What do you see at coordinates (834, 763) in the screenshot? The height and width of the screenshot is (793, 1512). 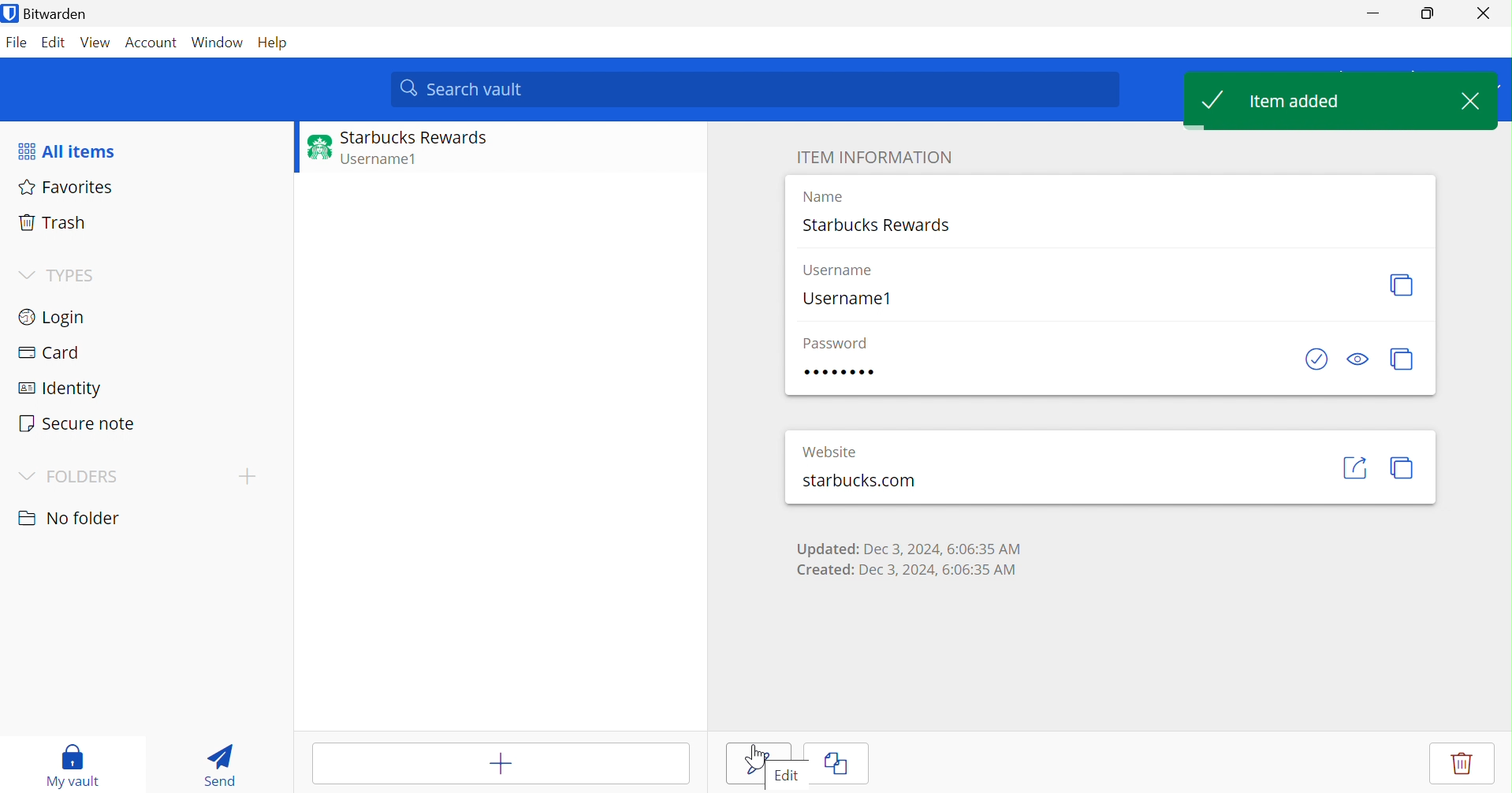 I see `Clone` at bounding box center [834, 763].